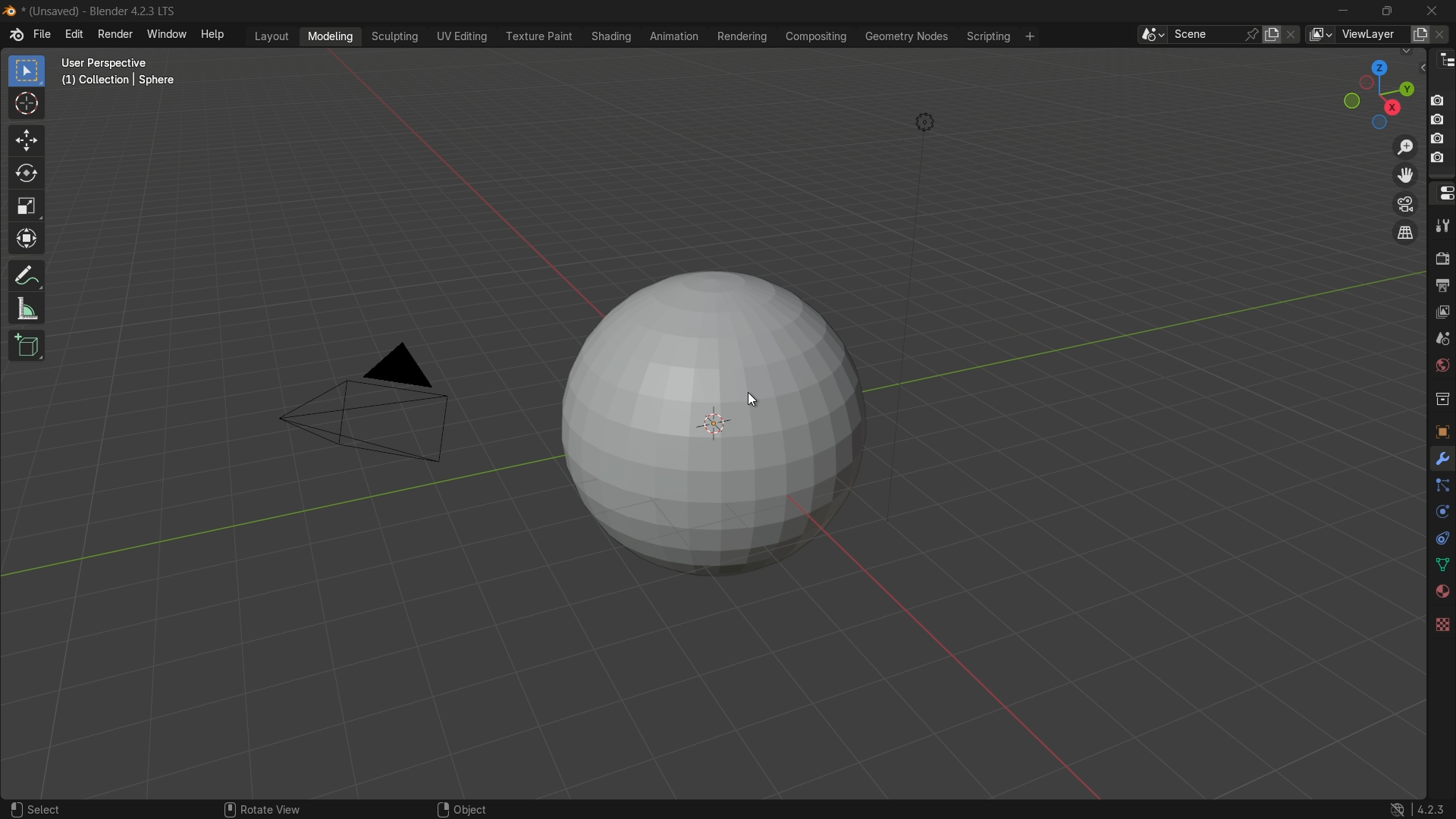  I want to click on uv editing menu, so click(463, 36).